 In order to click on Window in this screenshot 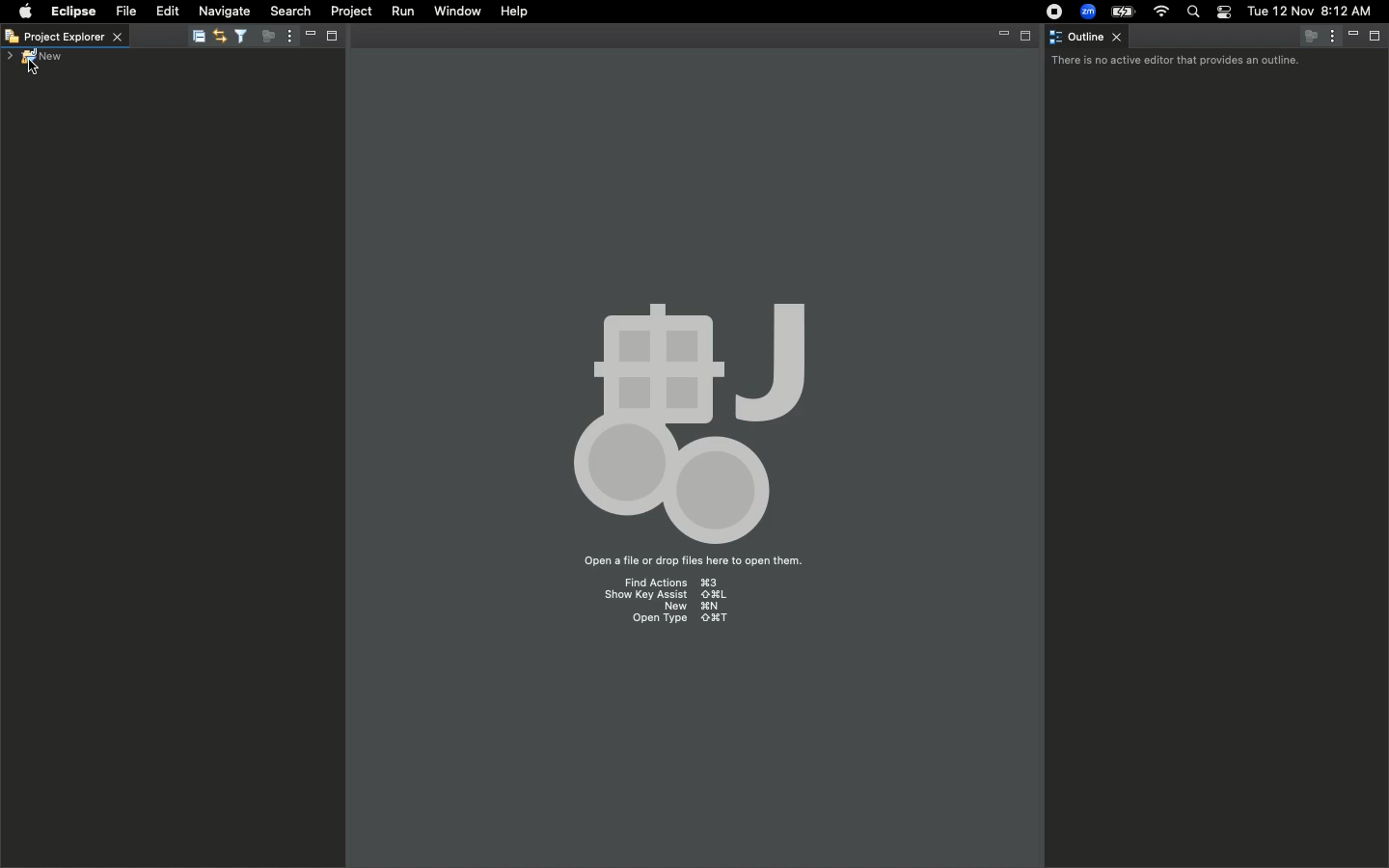, I will do `click(454, 12)`.